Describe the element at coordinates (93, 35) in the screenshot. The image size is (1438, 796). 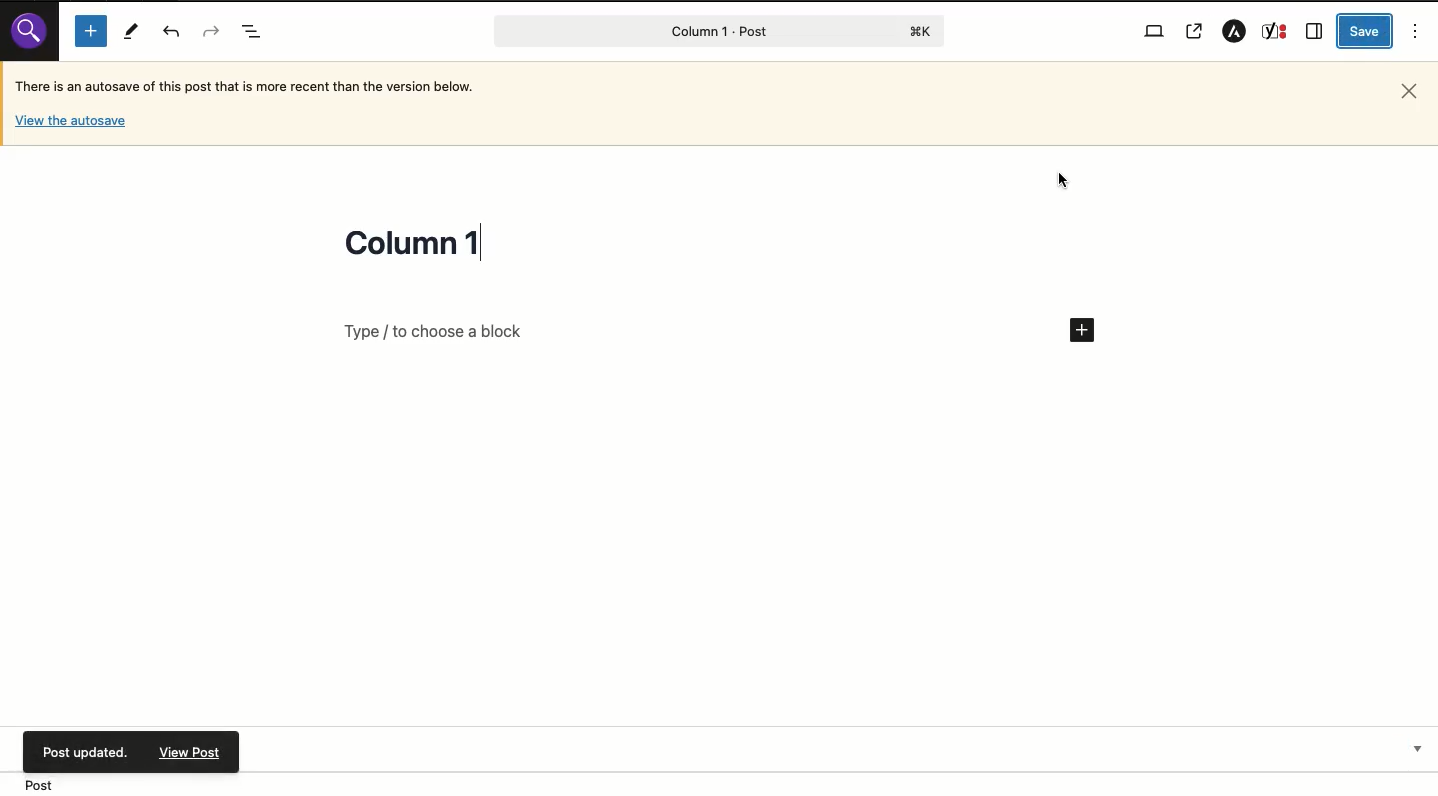
I see `Add new block` at that location.